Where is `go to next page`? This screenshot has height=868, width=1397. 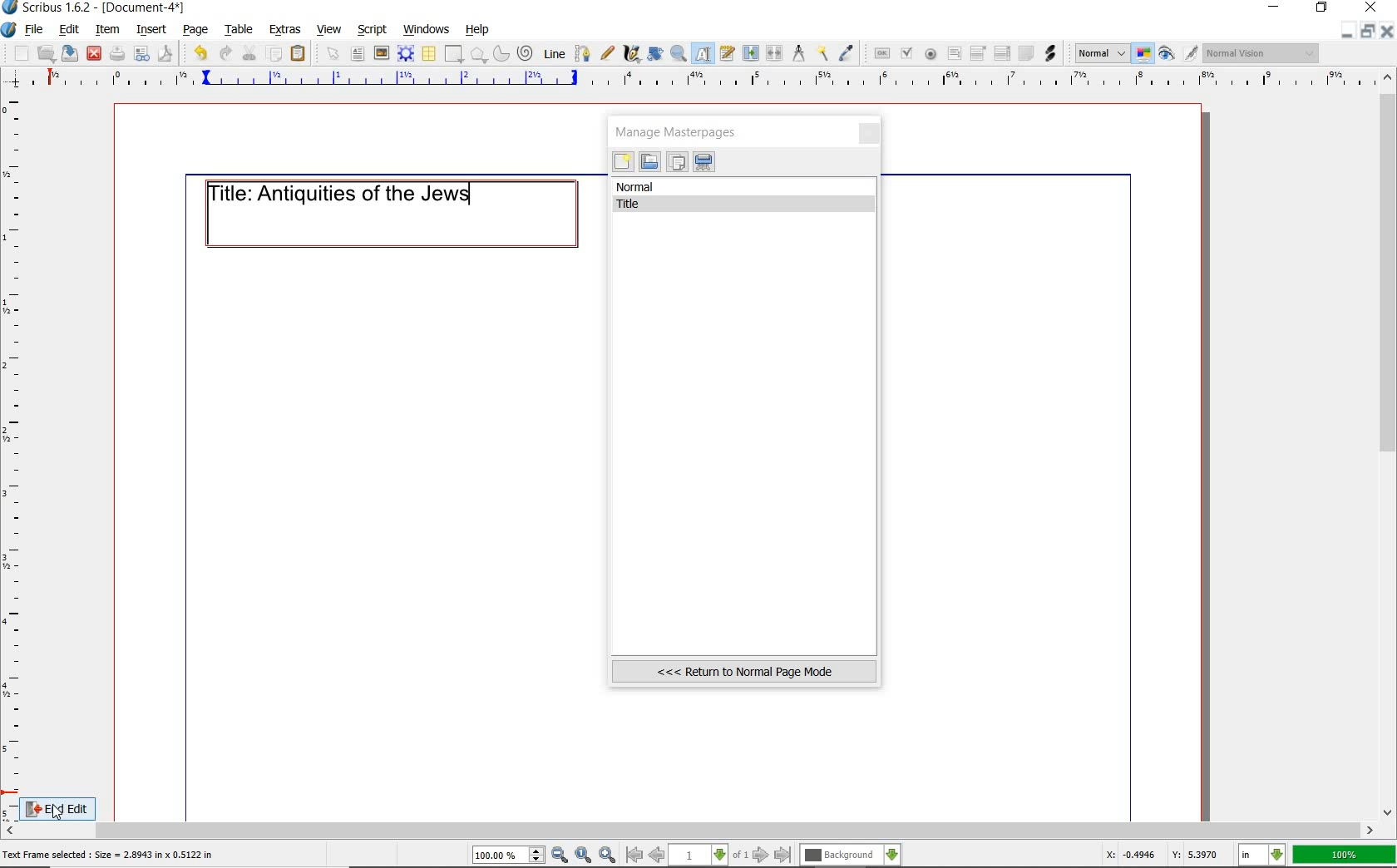 go to next page is located at coordinates (763, 855).